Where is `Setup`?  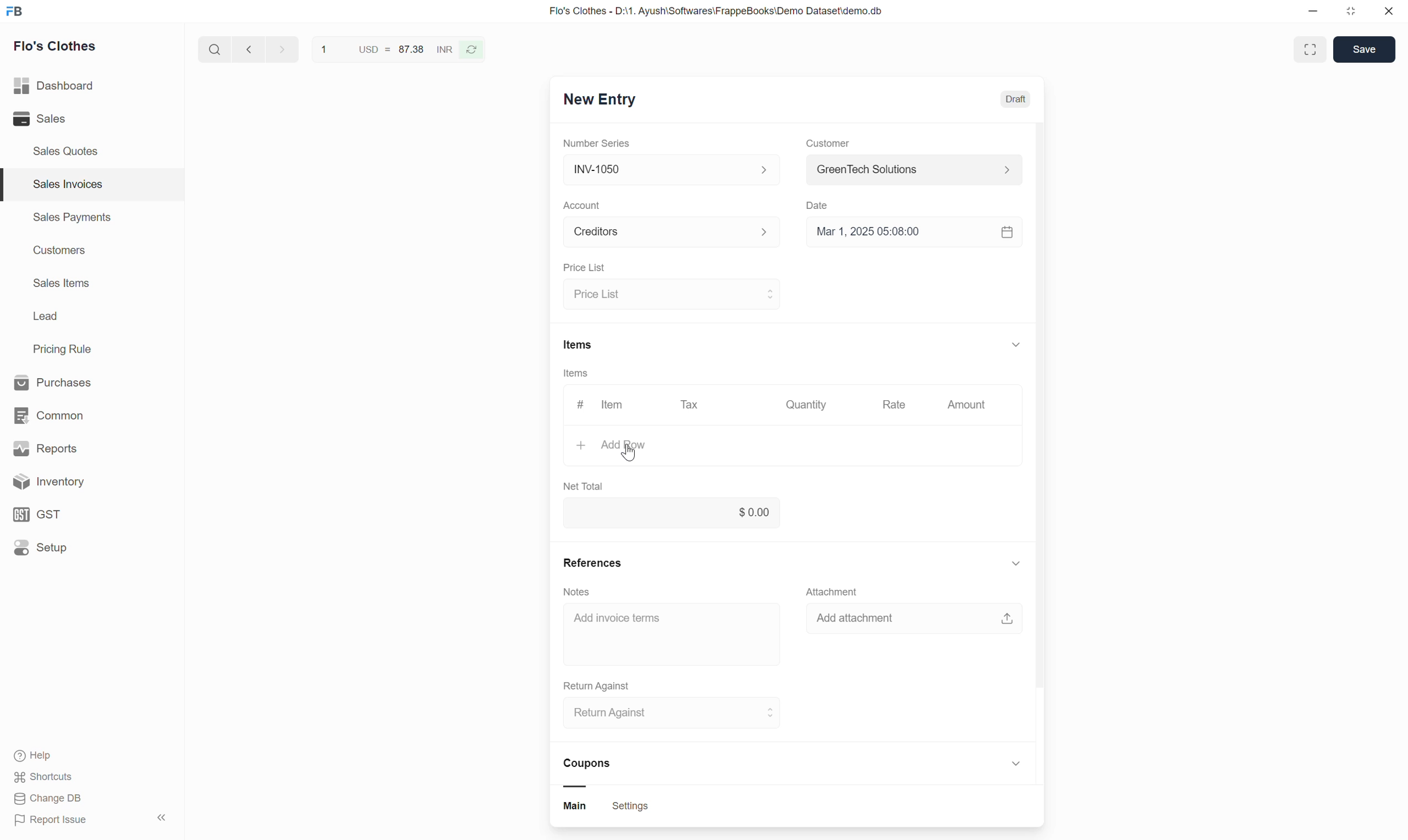
Setup is located at coordinates (82, 551).